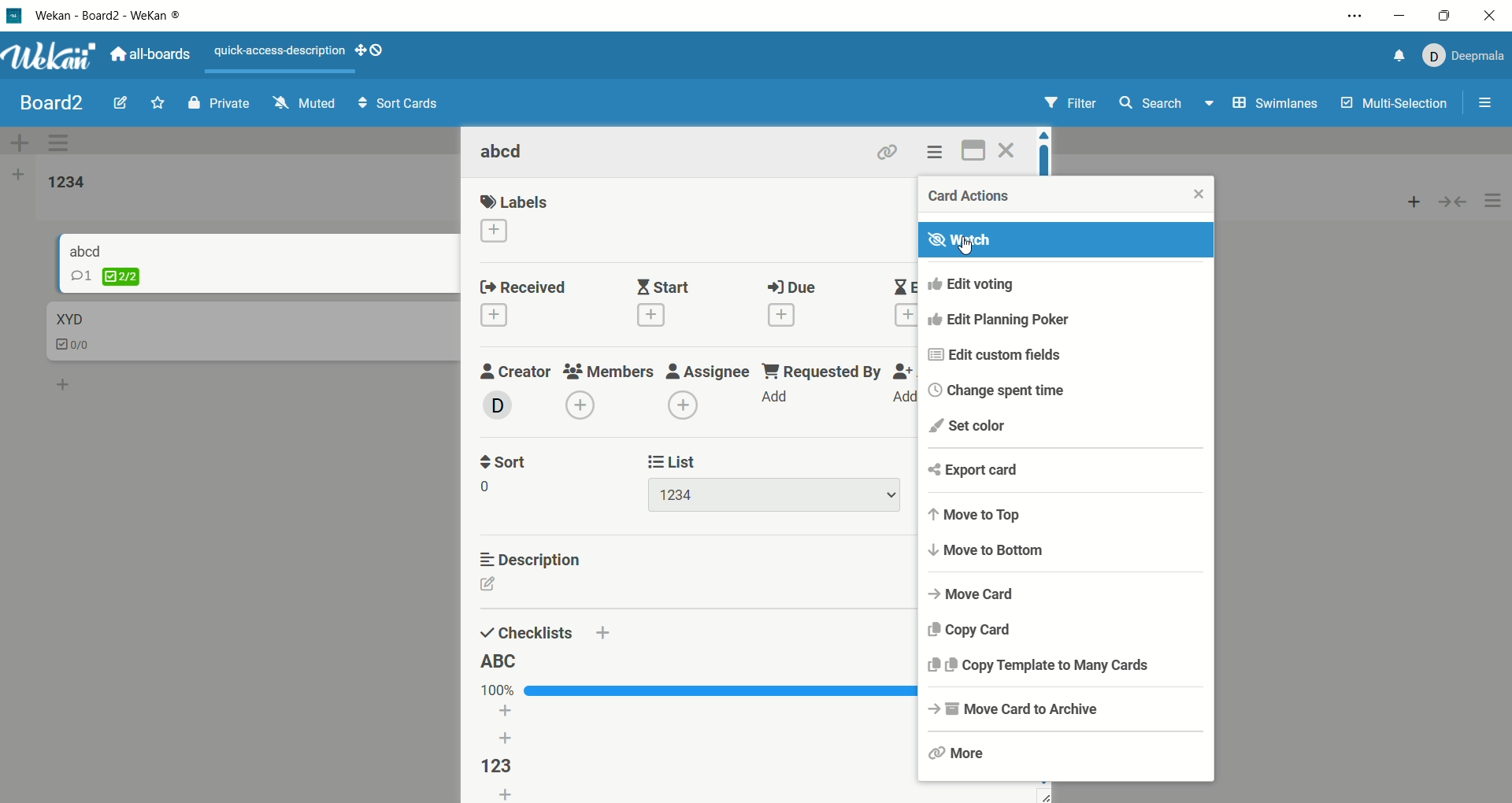 Image resolution: width=1512 pixels, height=803 pixels. I want to click on close, so click(1190, 191).